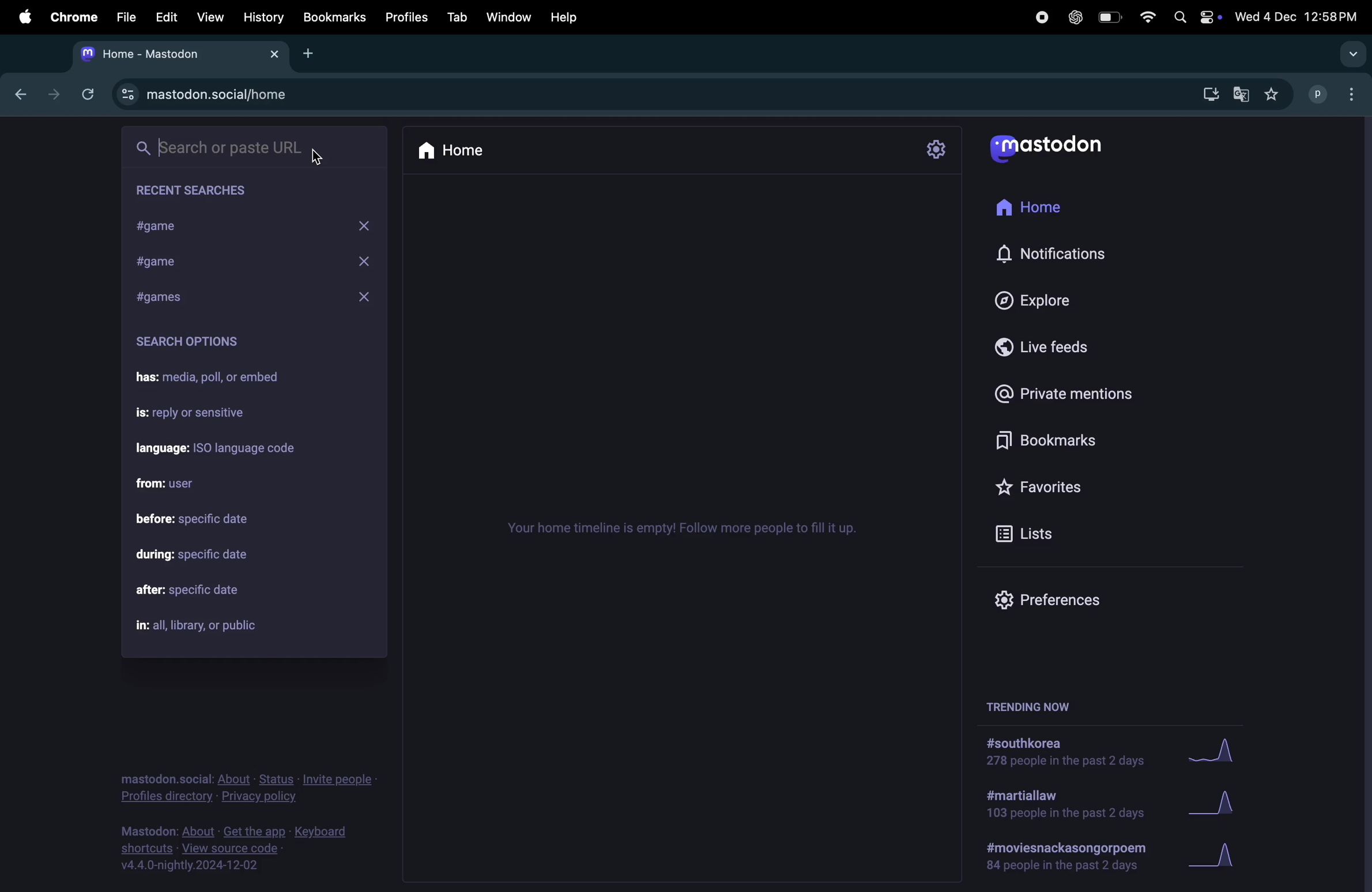 The width and height of the screenshot is (1372, 892). What do you see at coordinates (1048, 487) in the screenshot?
I see `Favourites` at bounding box center [1048, 487].